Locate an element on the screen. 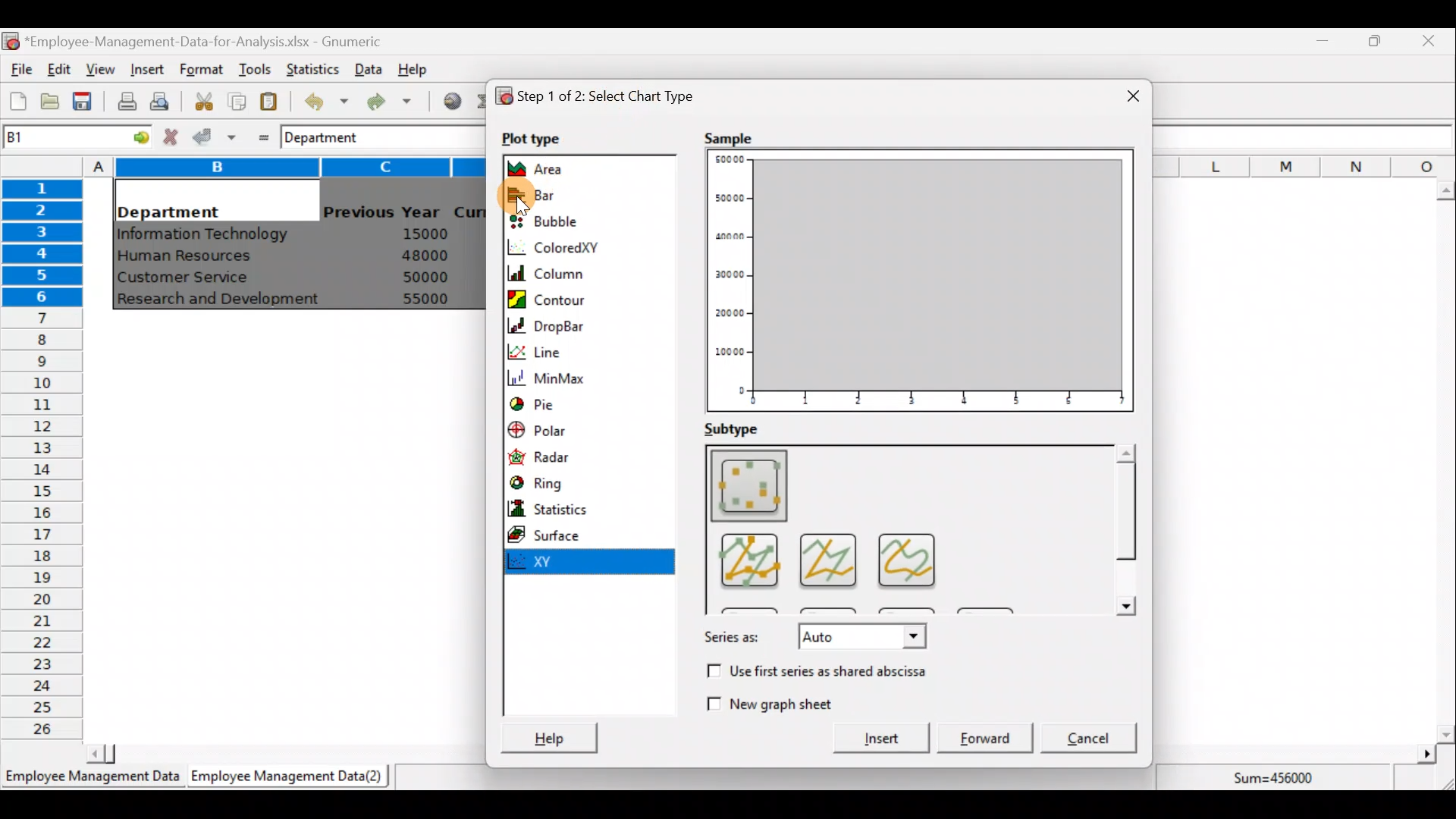  DropBar is located at coordinates (560, 324).